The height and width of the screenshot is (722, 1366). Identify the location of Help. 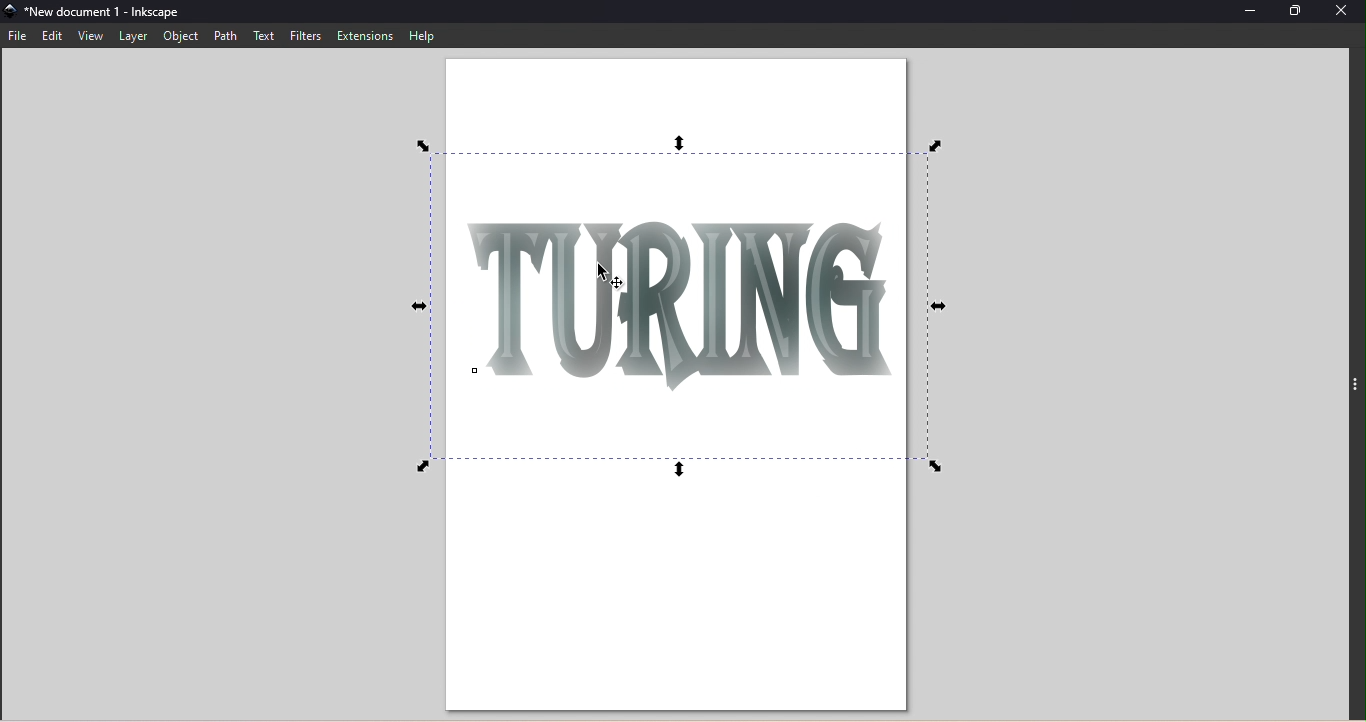
(423, 35).